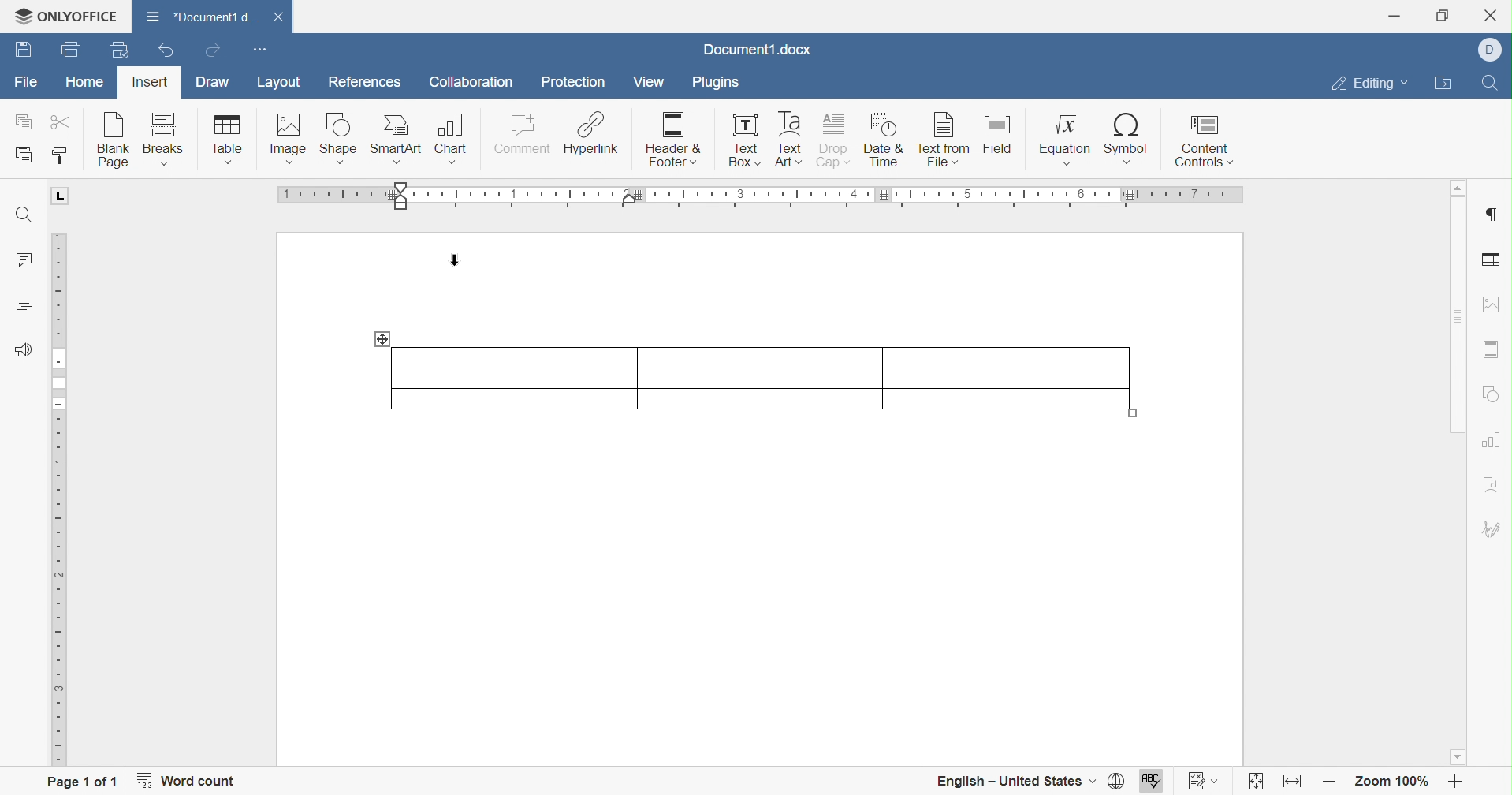 Image resolution: width=1512 pixels, height=795 pixels. What do you see at coordinates (1015, 779) in the screenshot?
I see `English - United States` at bounding box center [1015, 779].